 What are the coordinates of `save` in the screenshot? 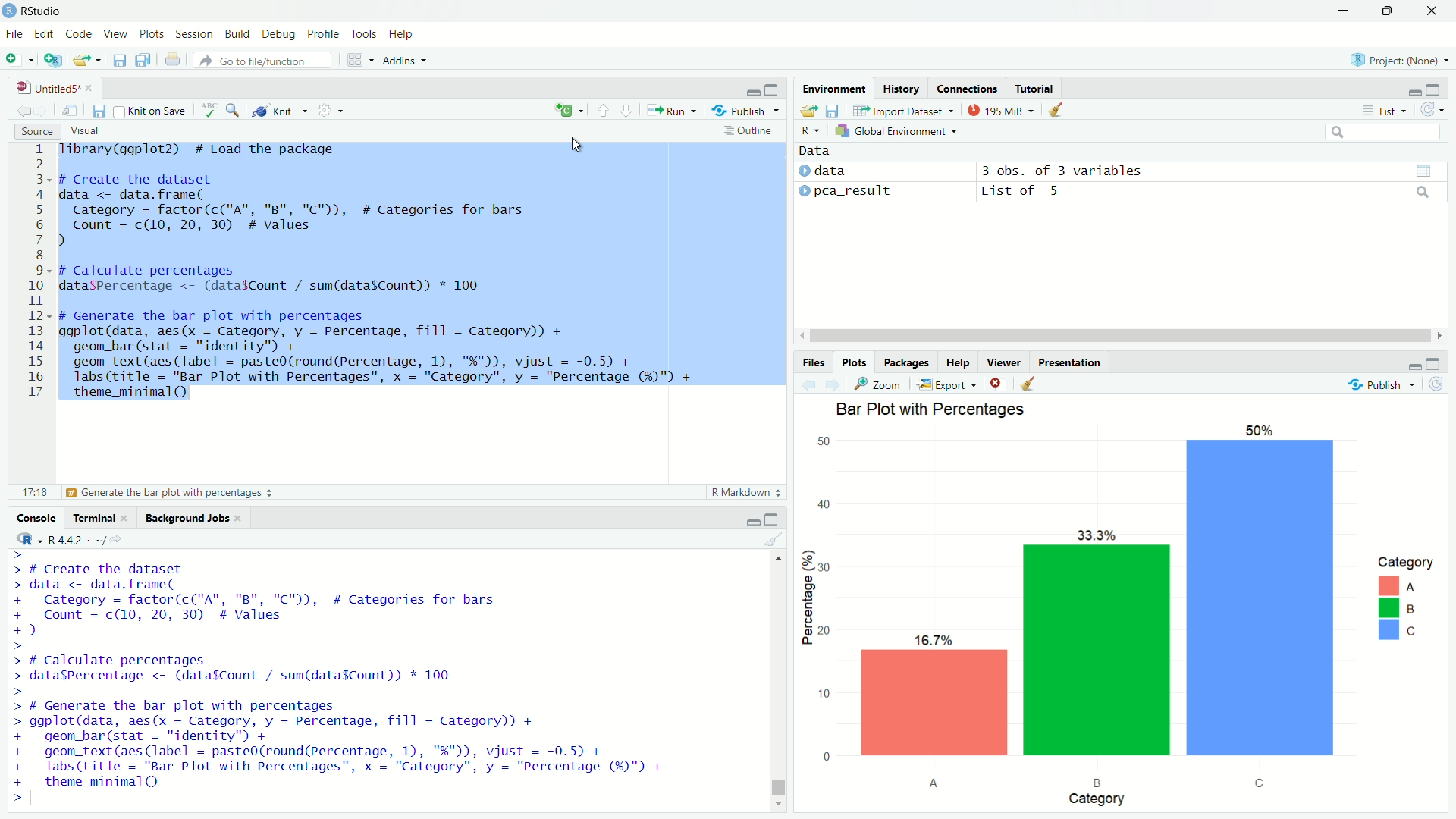 It's located at (118, 60).